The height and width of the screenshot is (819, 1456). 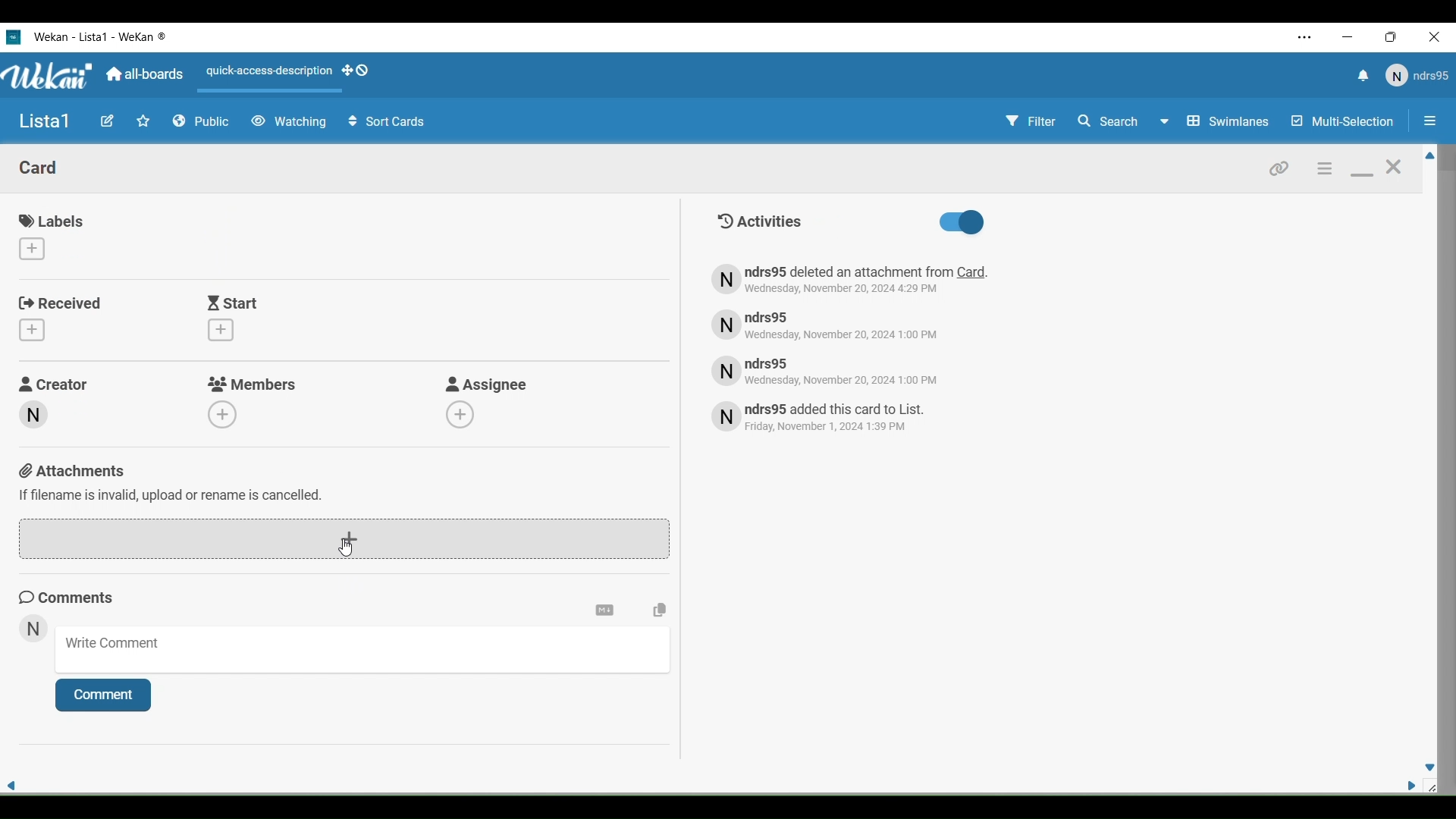 I want to click on Close, so click(x=1394, y=171).